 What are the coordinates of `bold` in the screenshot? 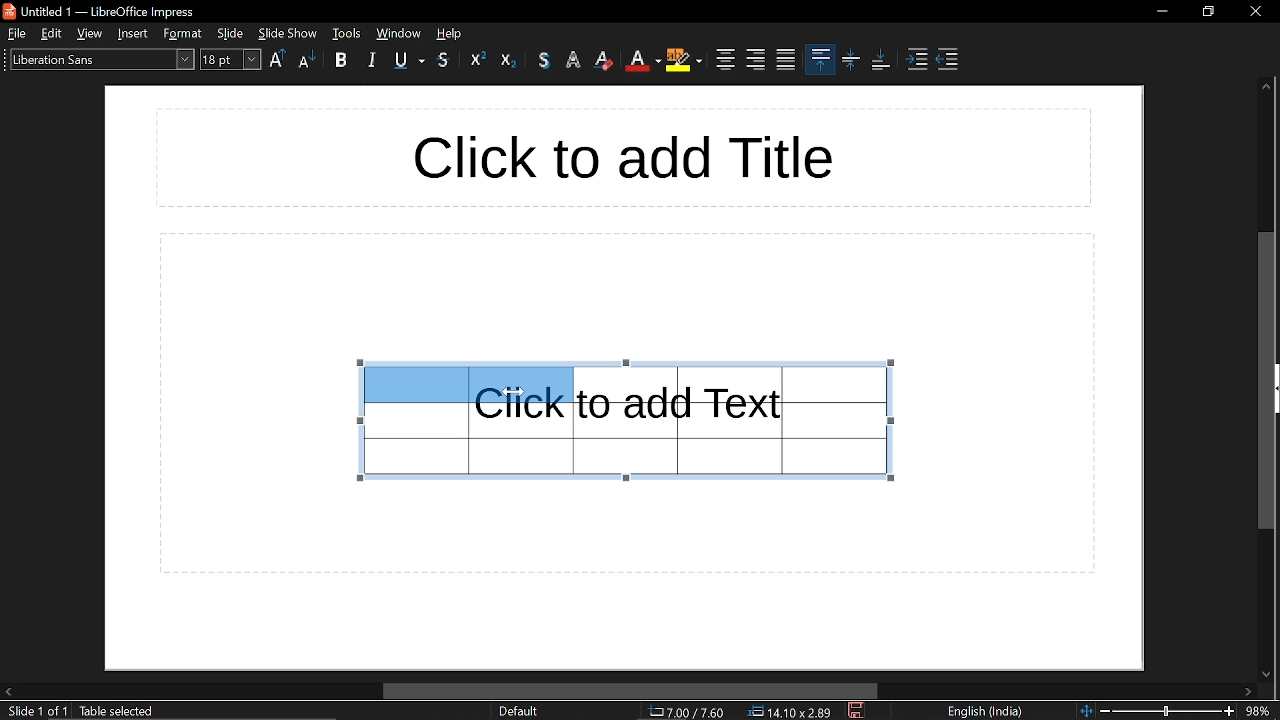 It's located at (345, 62).